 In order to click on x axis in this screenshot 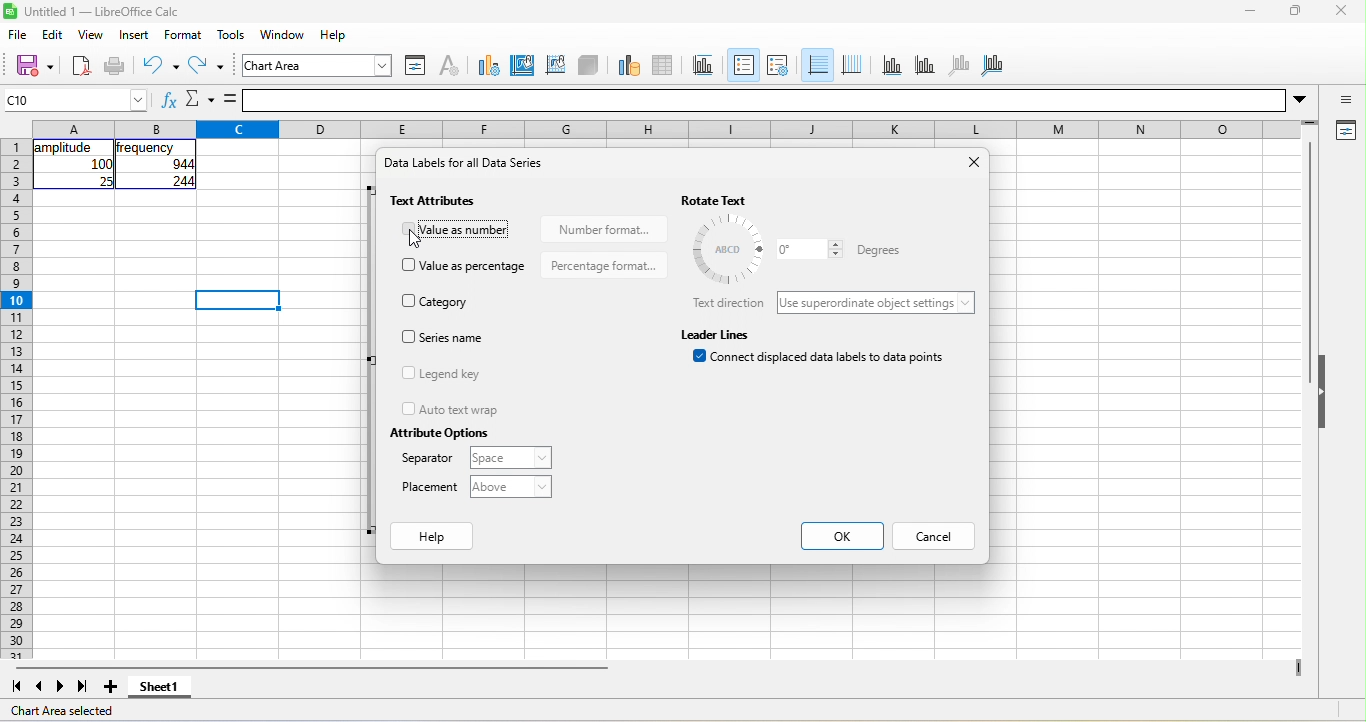, I will do `click(890, 65)`.